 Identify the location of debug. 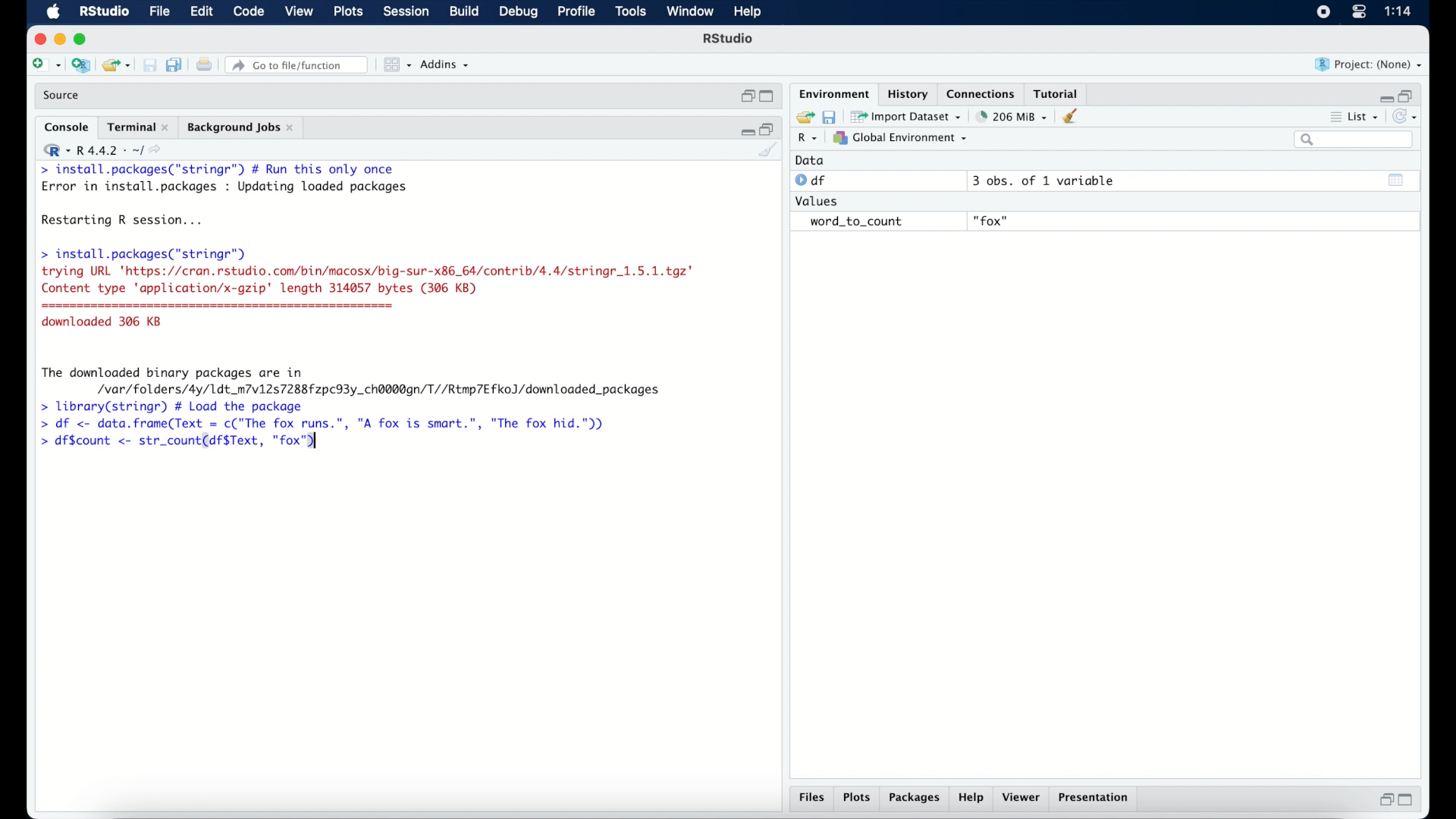
(519, 13).